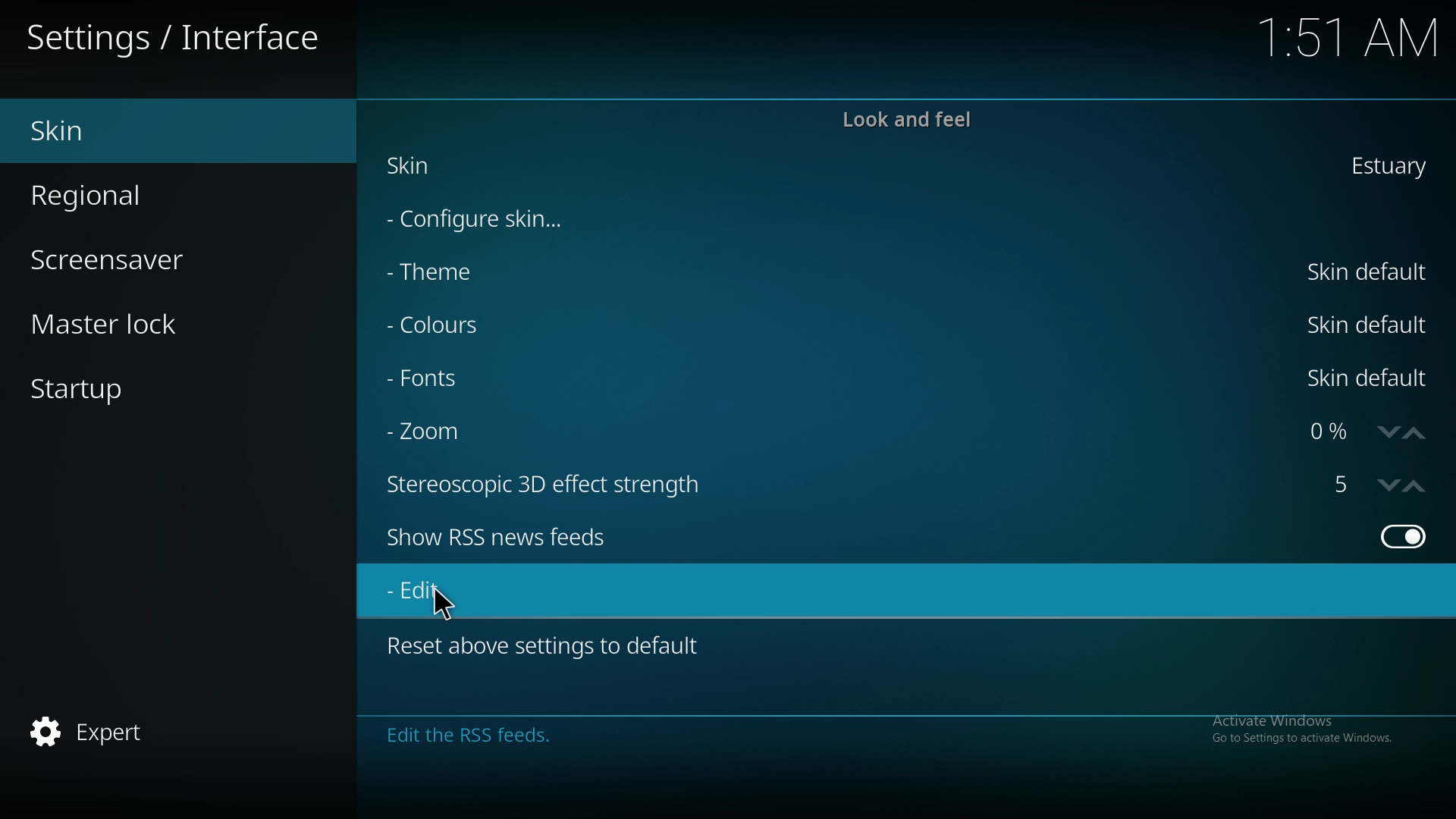  What do you see at coordinates (1301, 729) in the screenshot?
I see `Activate Windows
Go to Settings to activate Windows.` at bounding box center [1301, 729].